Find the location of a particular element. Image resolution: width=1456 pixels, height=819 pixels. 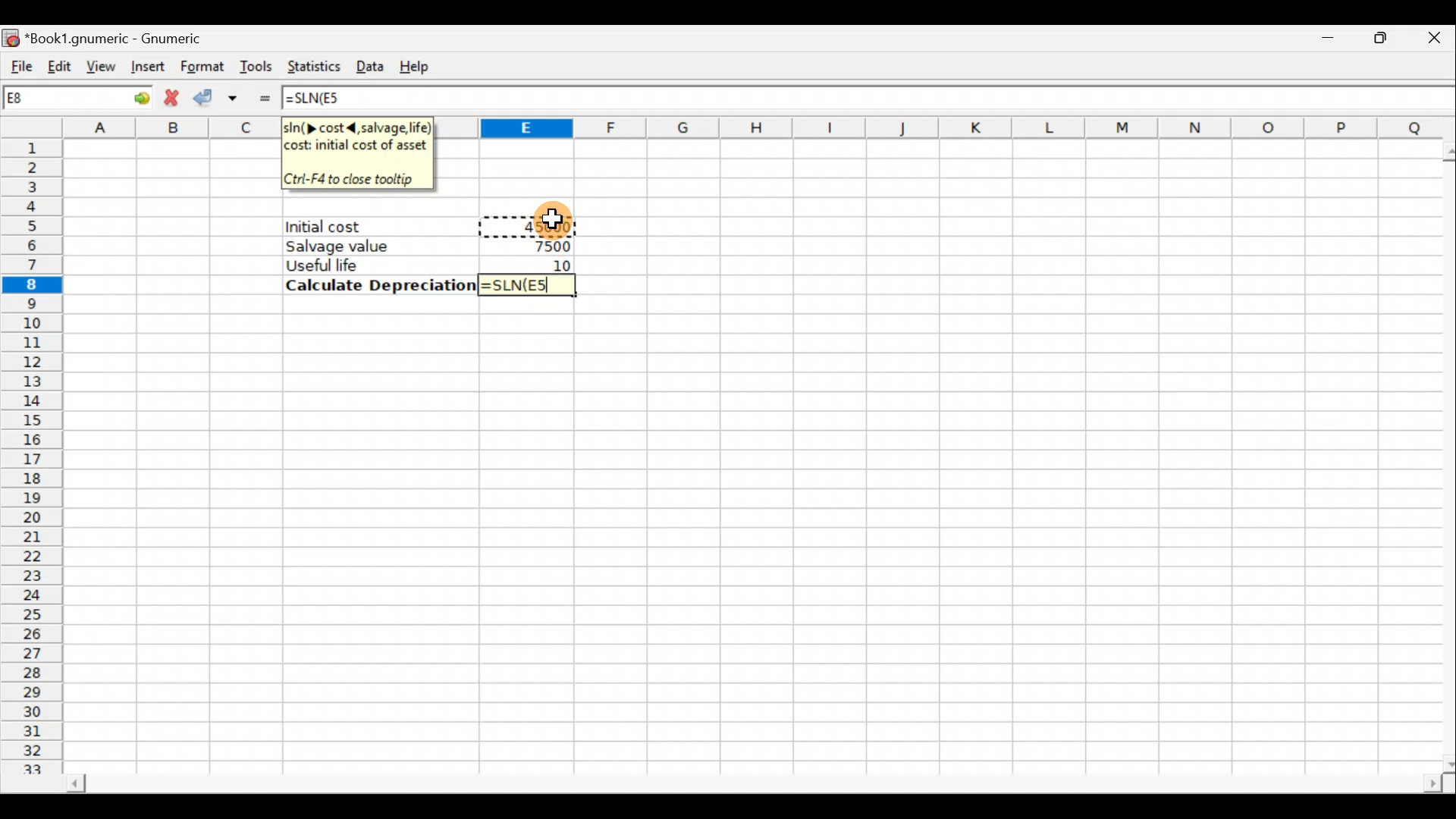

Cells is located at coordinates (747, 538).